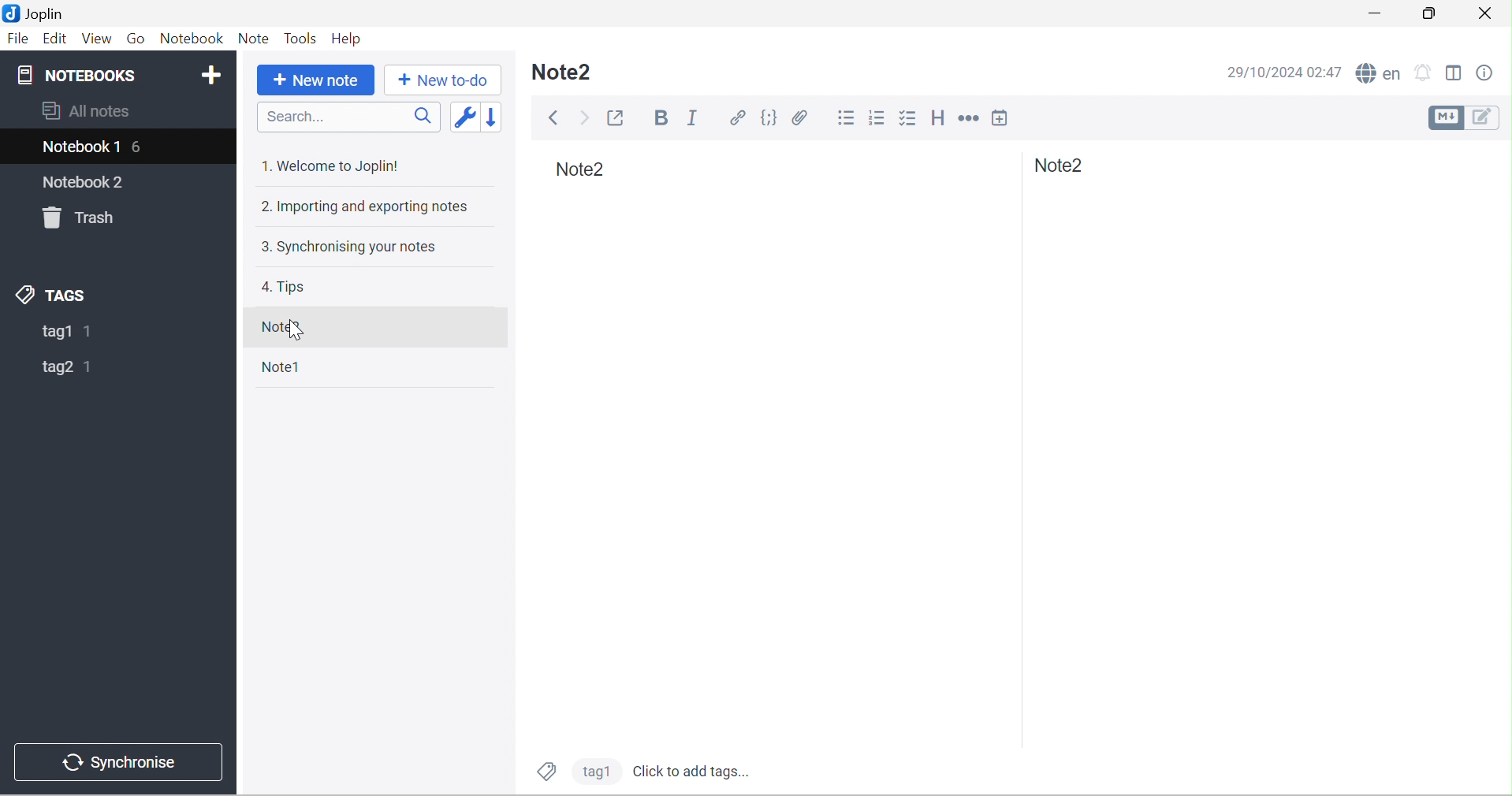  I want to click on Synchronise, so click(120, 761).